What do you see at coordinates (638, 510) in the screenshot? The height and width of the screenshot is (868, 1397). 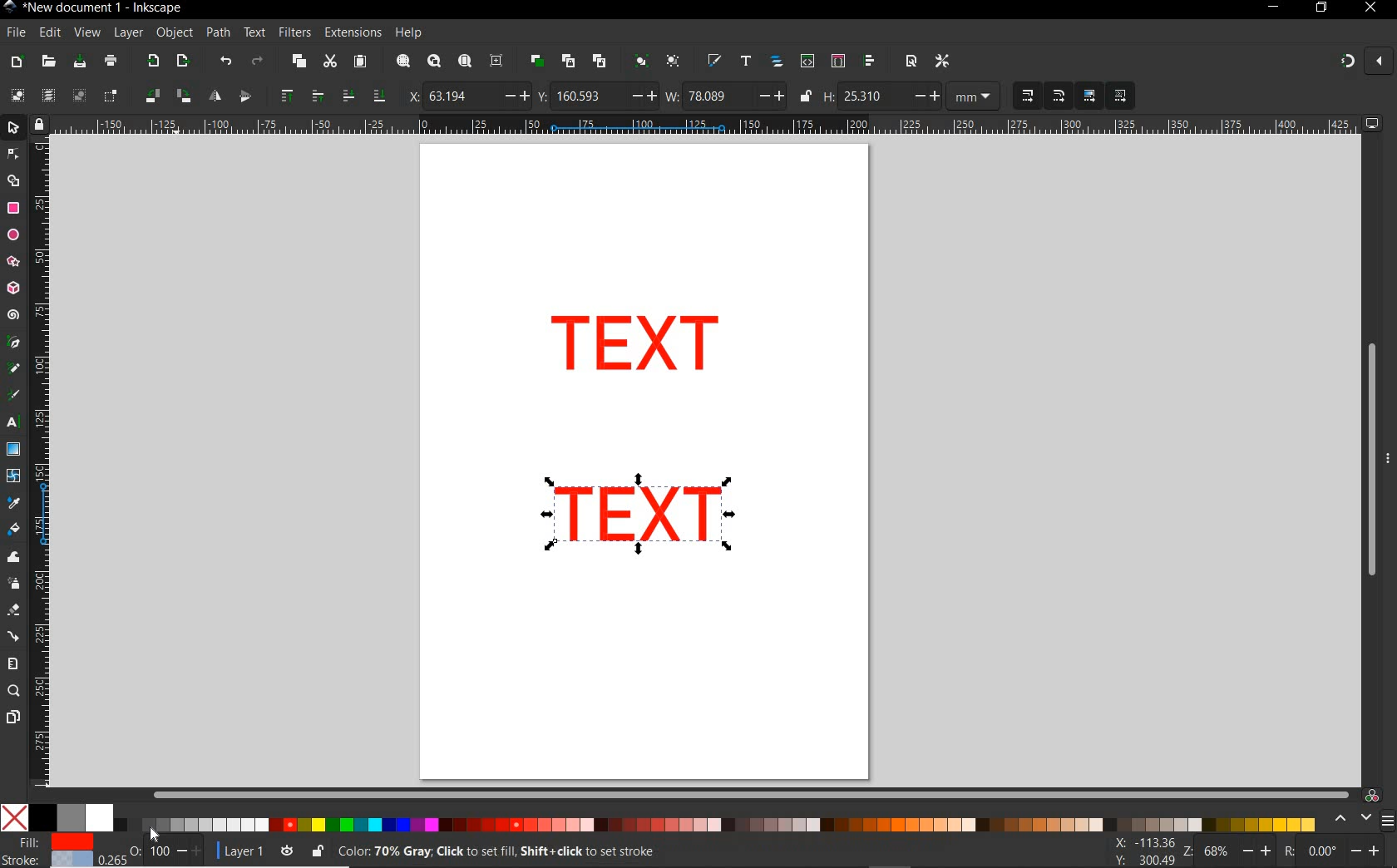 I see `text duplicate` at bounding box center [638, 510].